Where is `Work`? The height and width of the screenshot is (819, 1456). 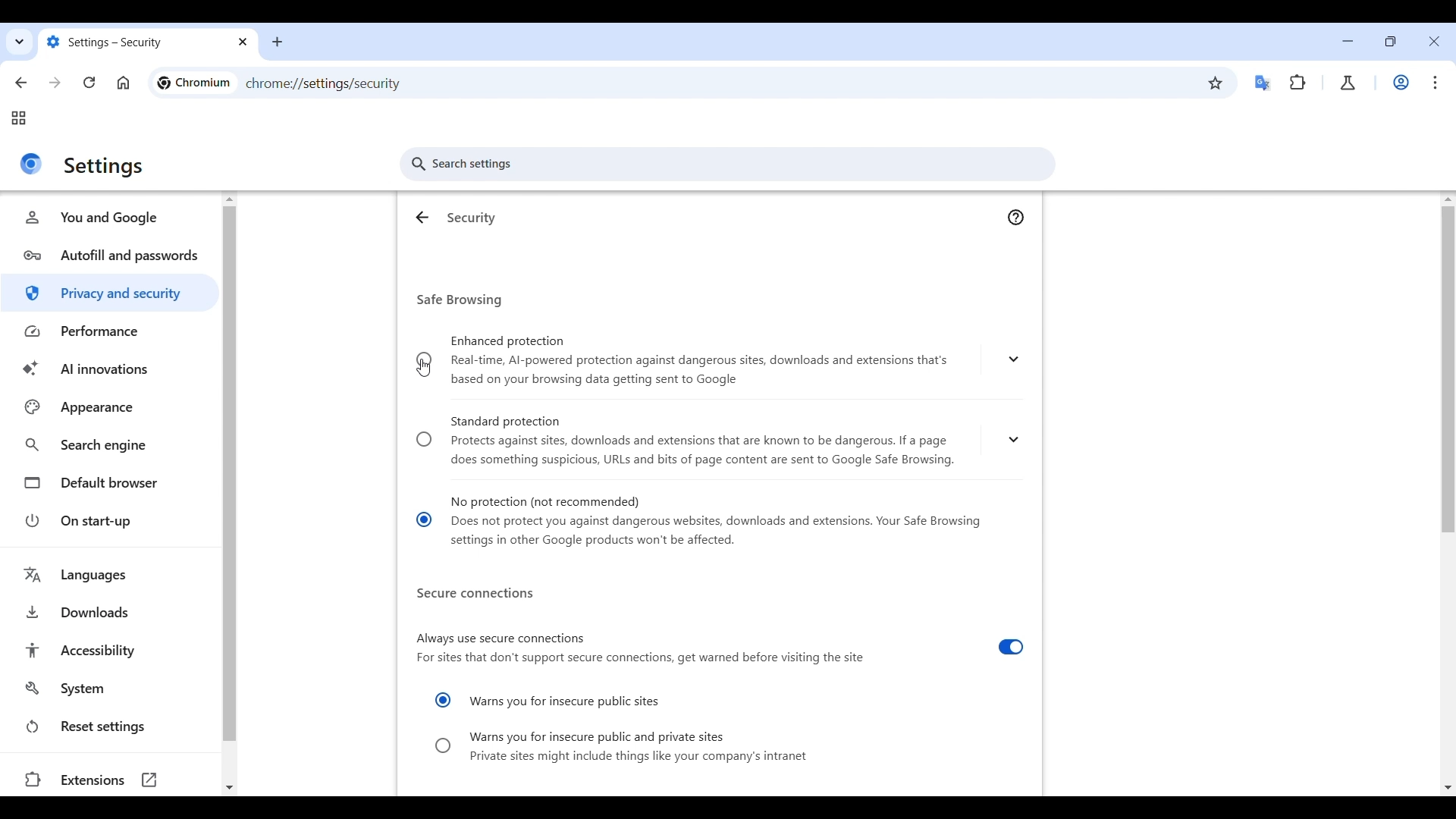
Work is located at coordinates (1401, 83).